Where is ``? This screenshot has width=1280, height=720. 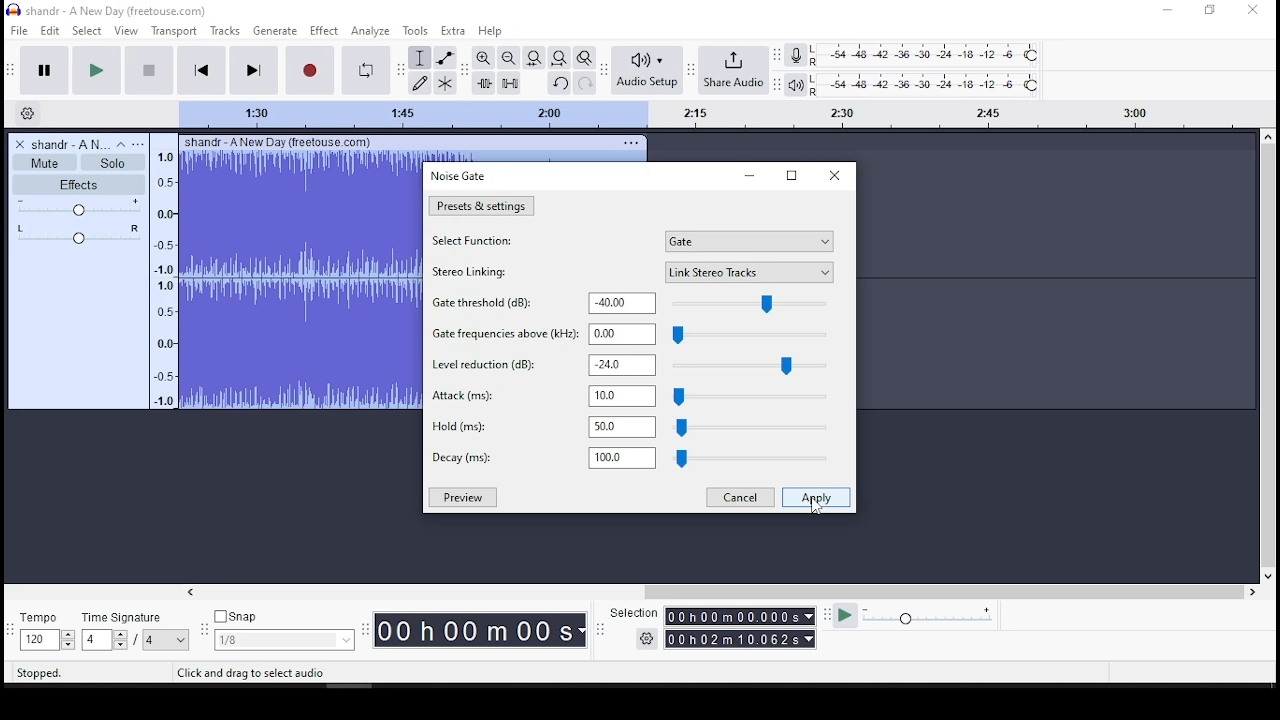
 is located at coordinates (44, 69).